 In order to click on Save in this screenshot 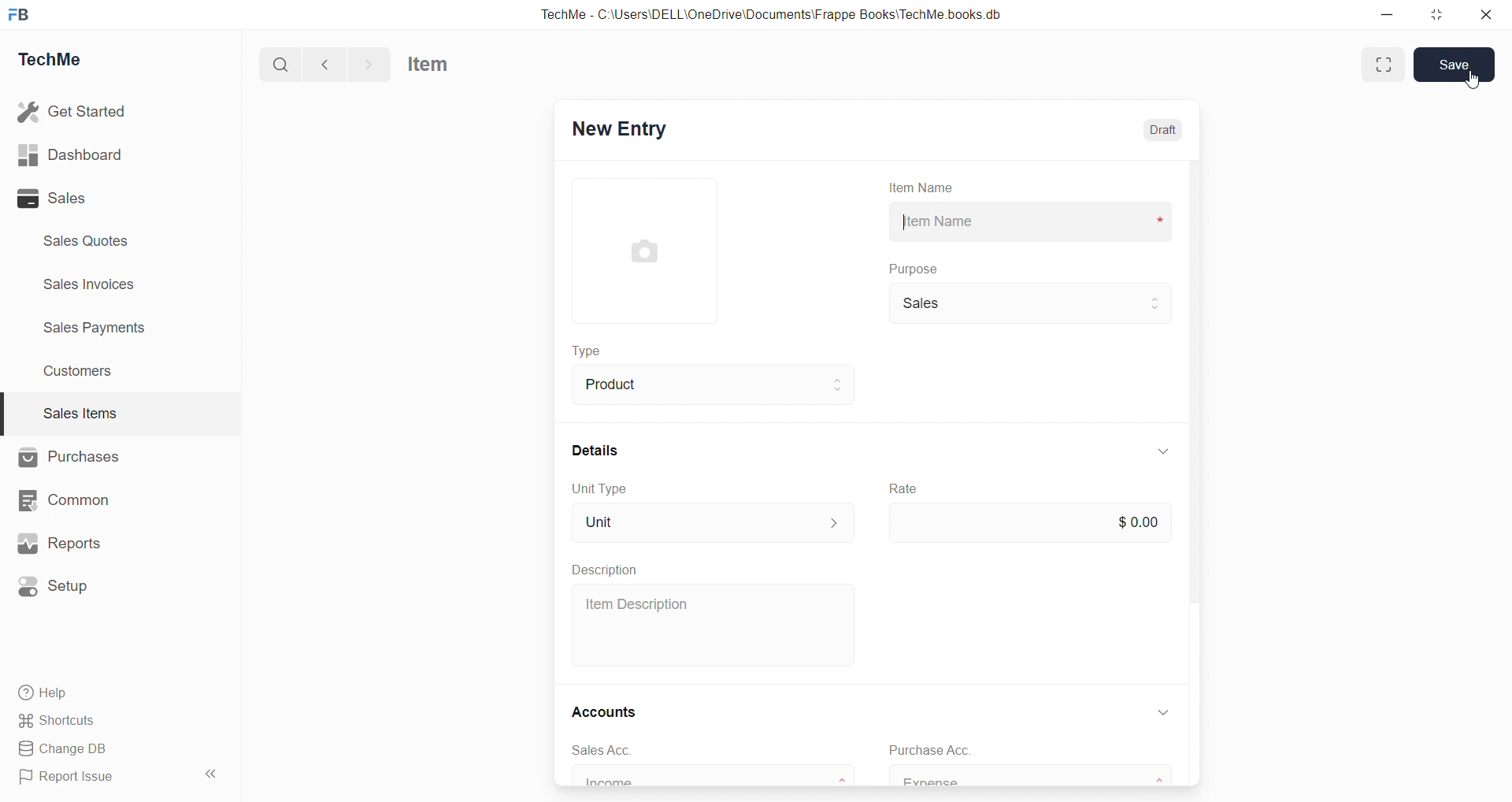, I will do `click(1458, 65)`.